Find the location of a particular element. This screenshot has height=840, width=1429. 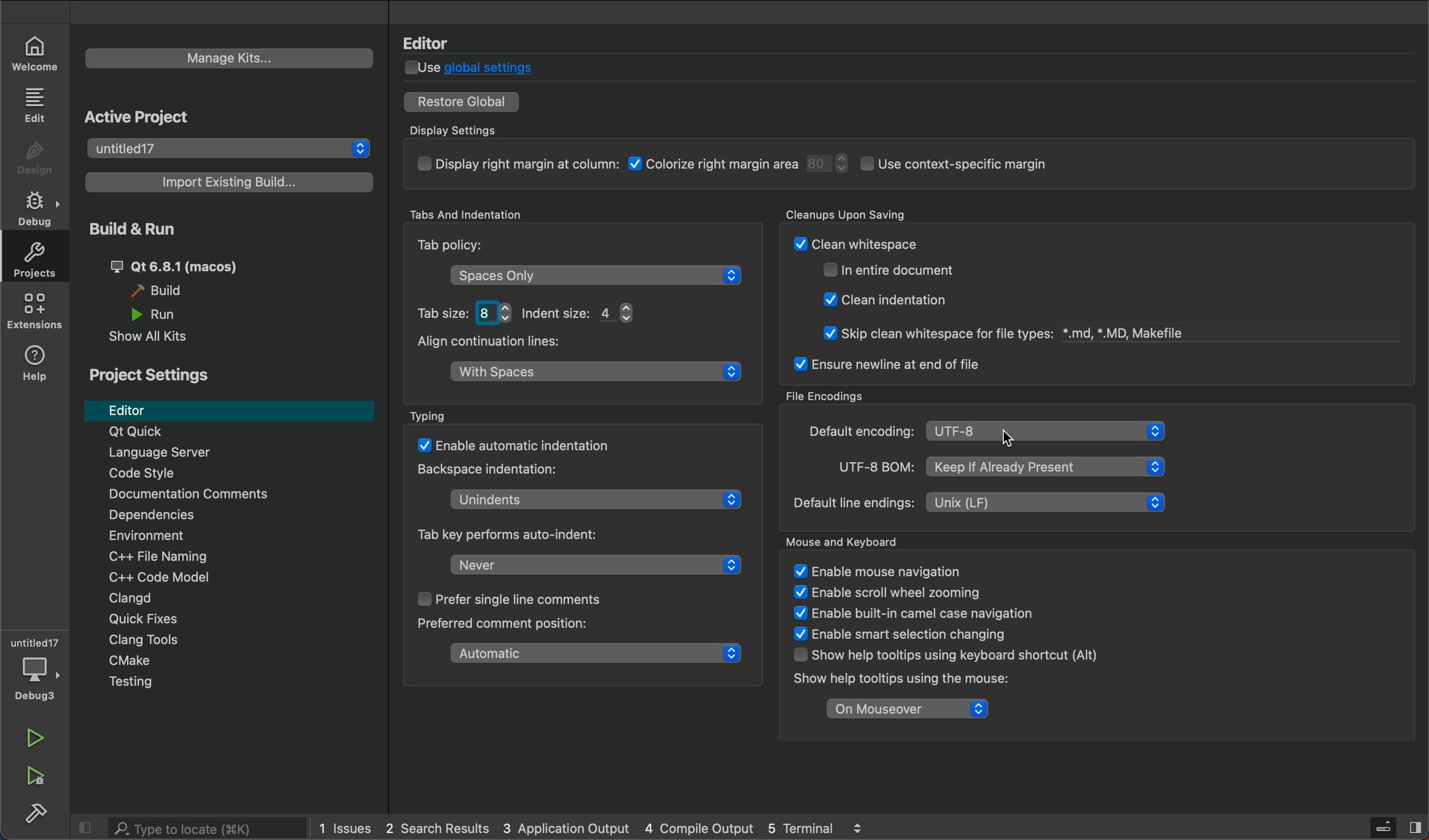

cursor is located at coordinates (1009, 439).